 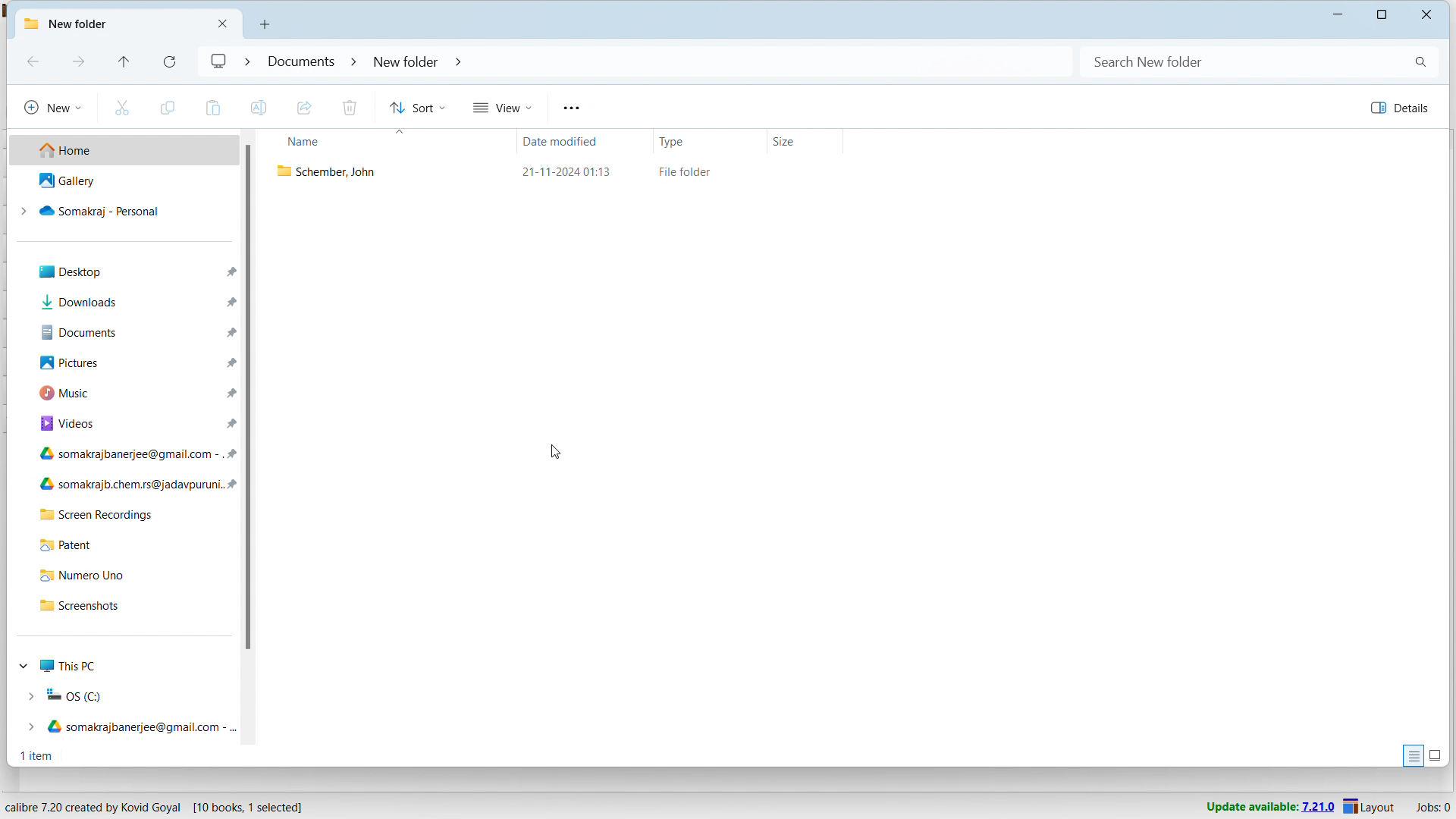 What do you see at coordinates (1345, 11) in the screenshot?
I see `minimize` at bounding box center [1345, 11].